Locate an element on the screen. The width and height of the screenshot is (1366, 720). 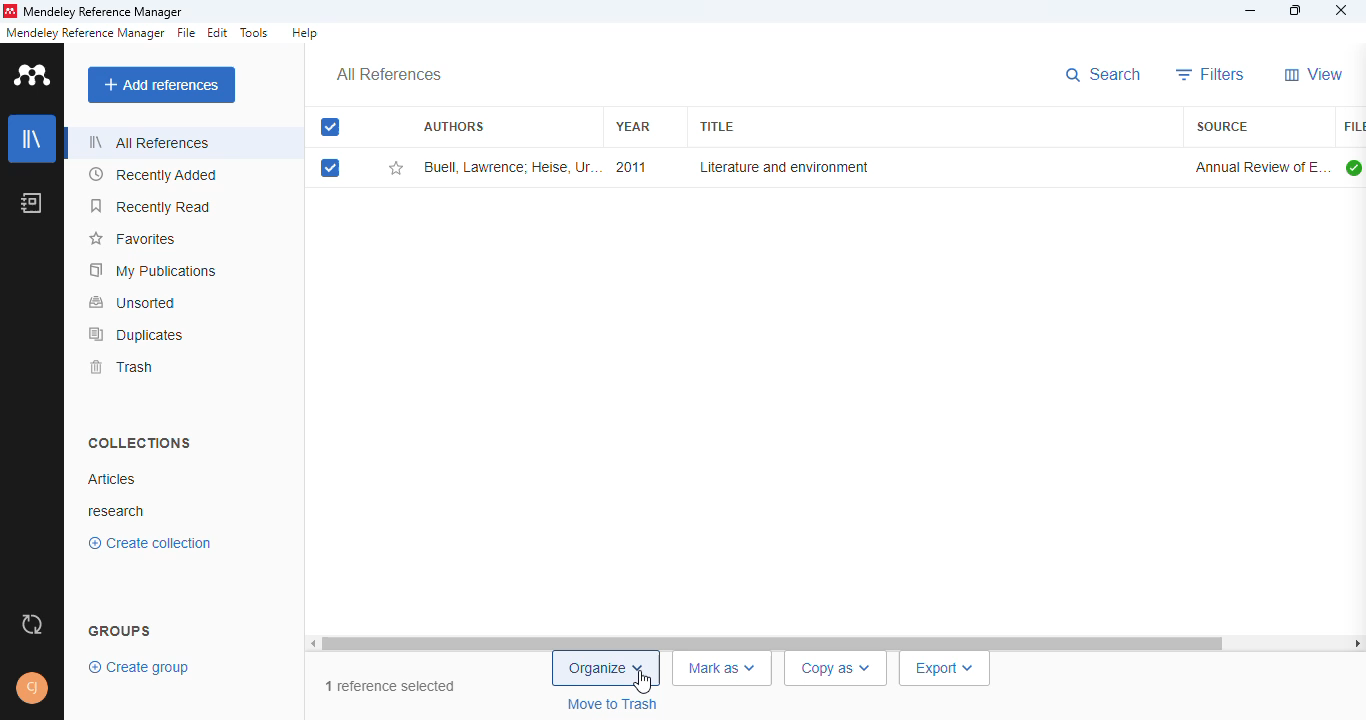
edit is located at coordinates (219, 32).